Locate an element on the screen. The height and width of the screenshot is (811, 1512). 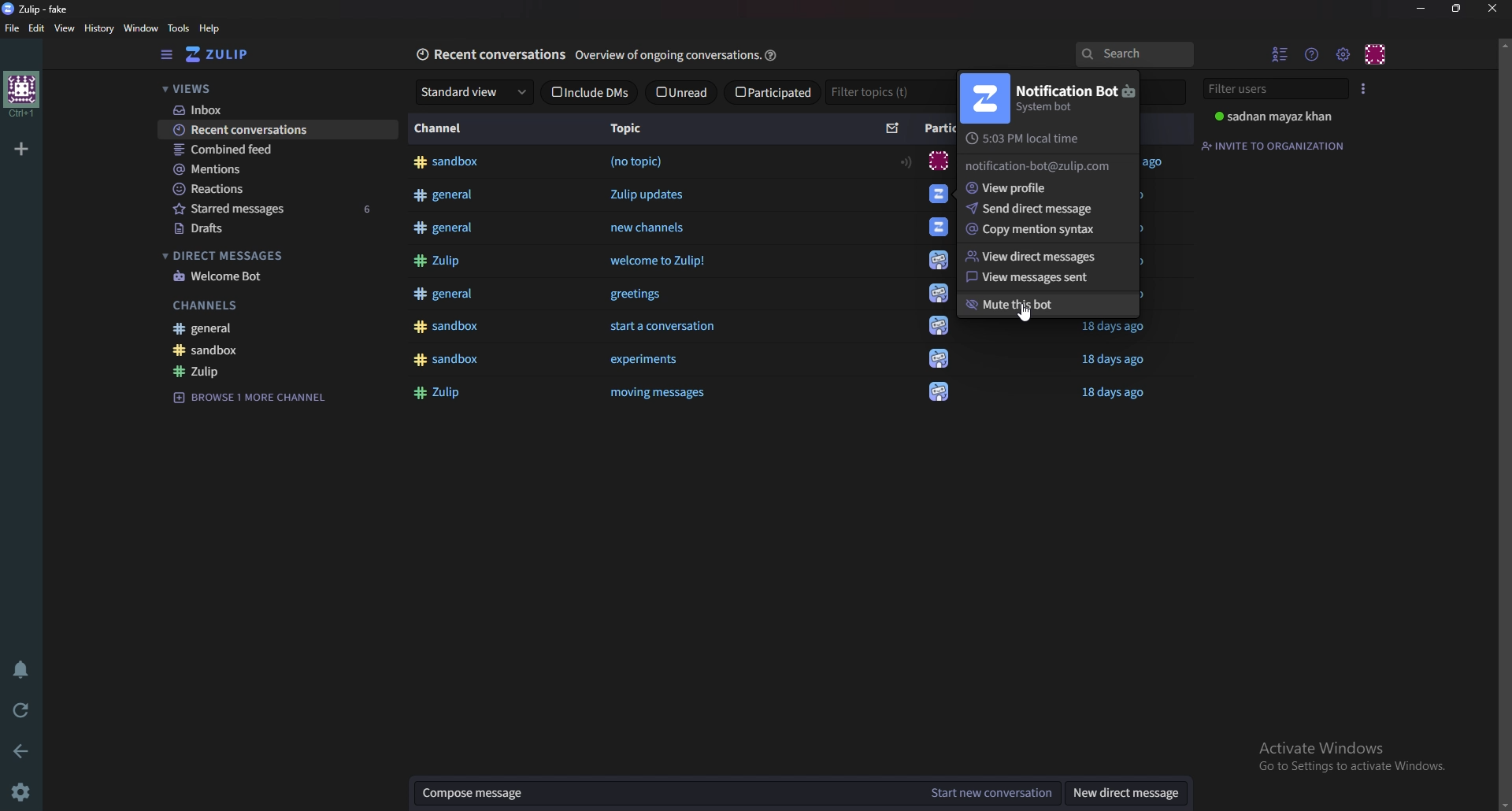
#general is located at coordinates (441, 294).